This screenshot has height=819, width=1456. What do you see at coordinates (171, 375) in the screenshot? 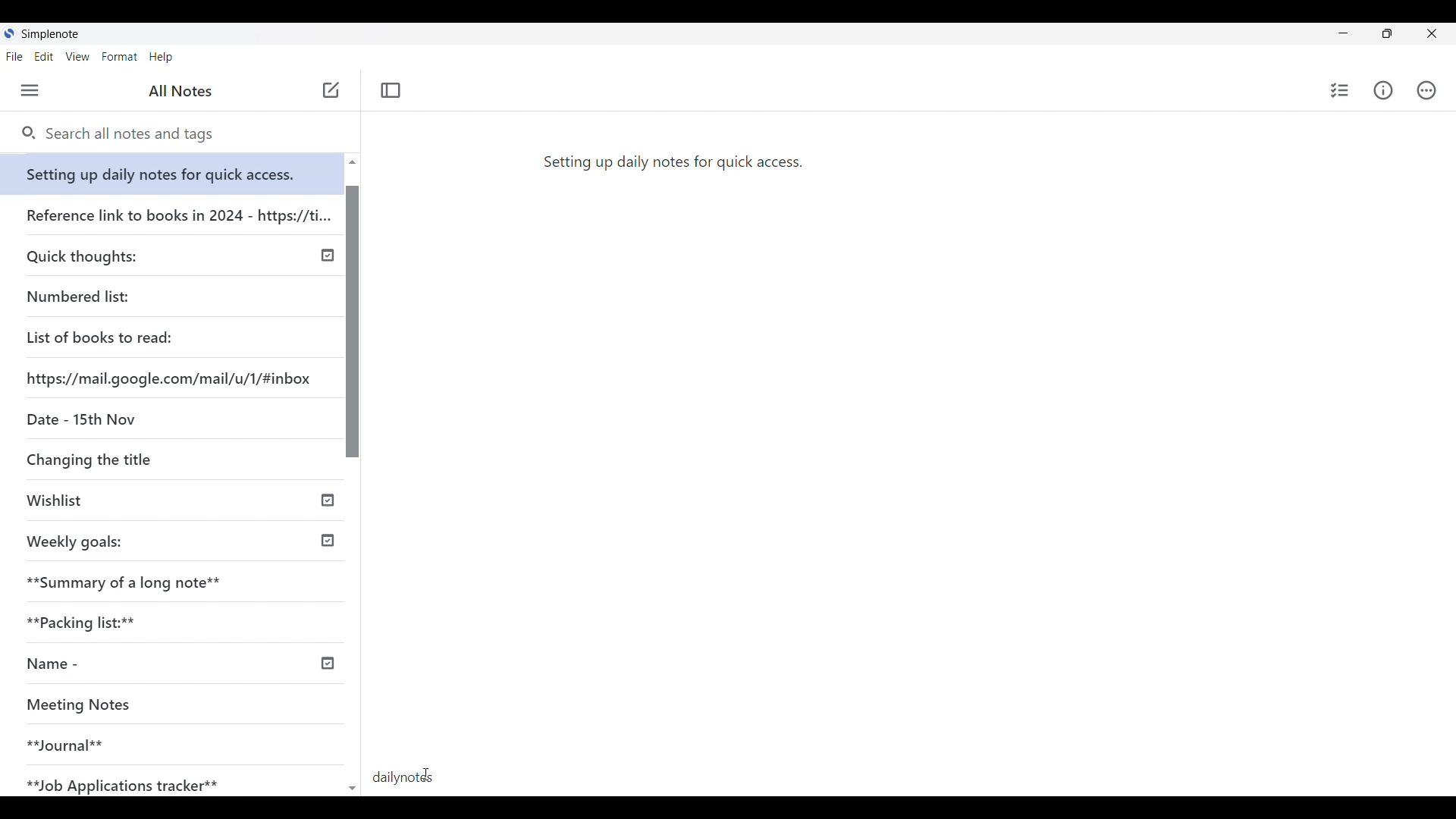
I see `https://mail.google.com/mail/u/1/#inbox` at bounding box center [171, 375].